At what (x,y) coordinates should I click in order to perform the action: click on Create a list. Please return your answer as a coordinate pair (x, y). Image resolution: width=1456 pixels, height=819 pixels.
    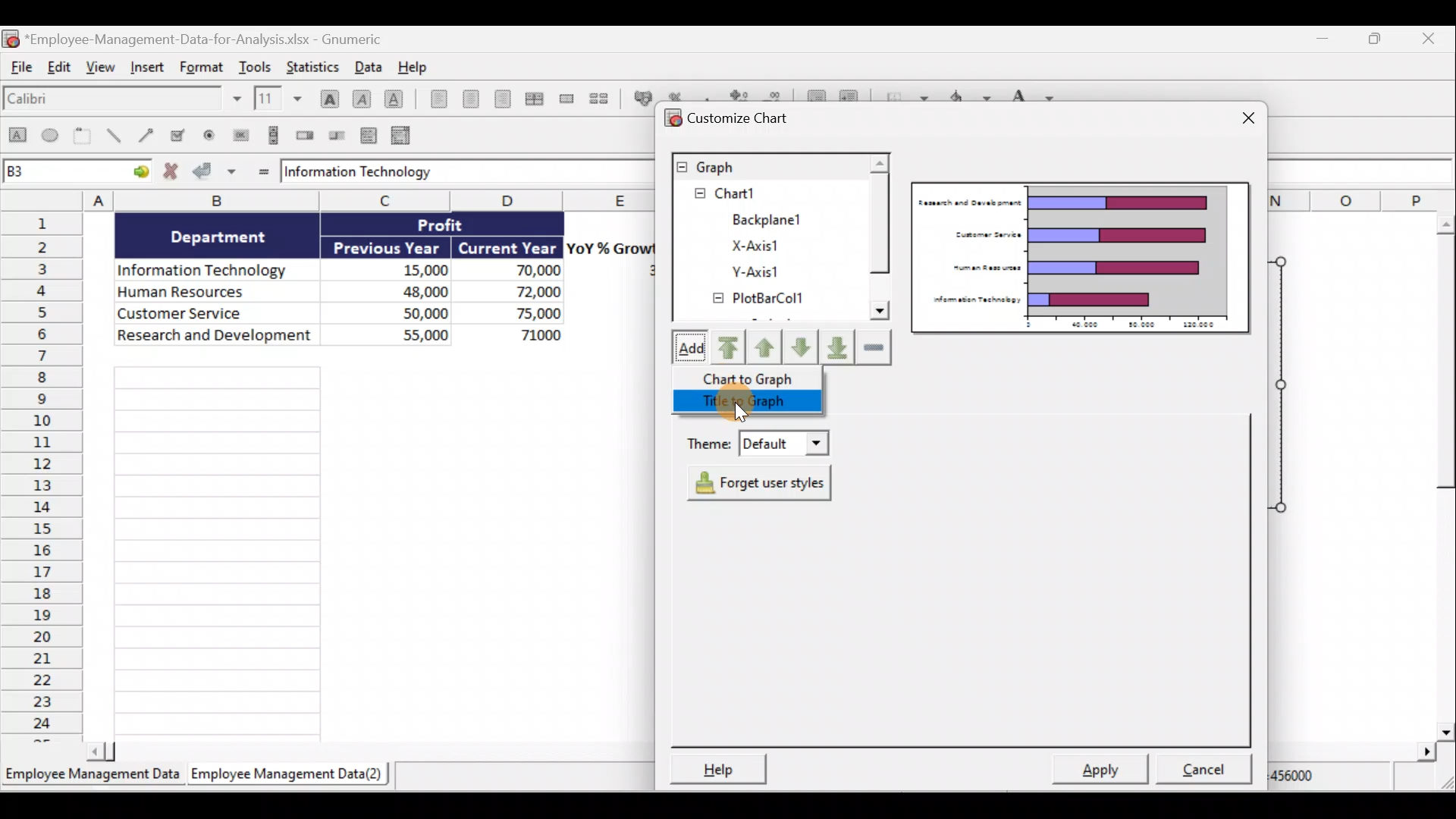
    Looking at the image, I should click on (367, 137).